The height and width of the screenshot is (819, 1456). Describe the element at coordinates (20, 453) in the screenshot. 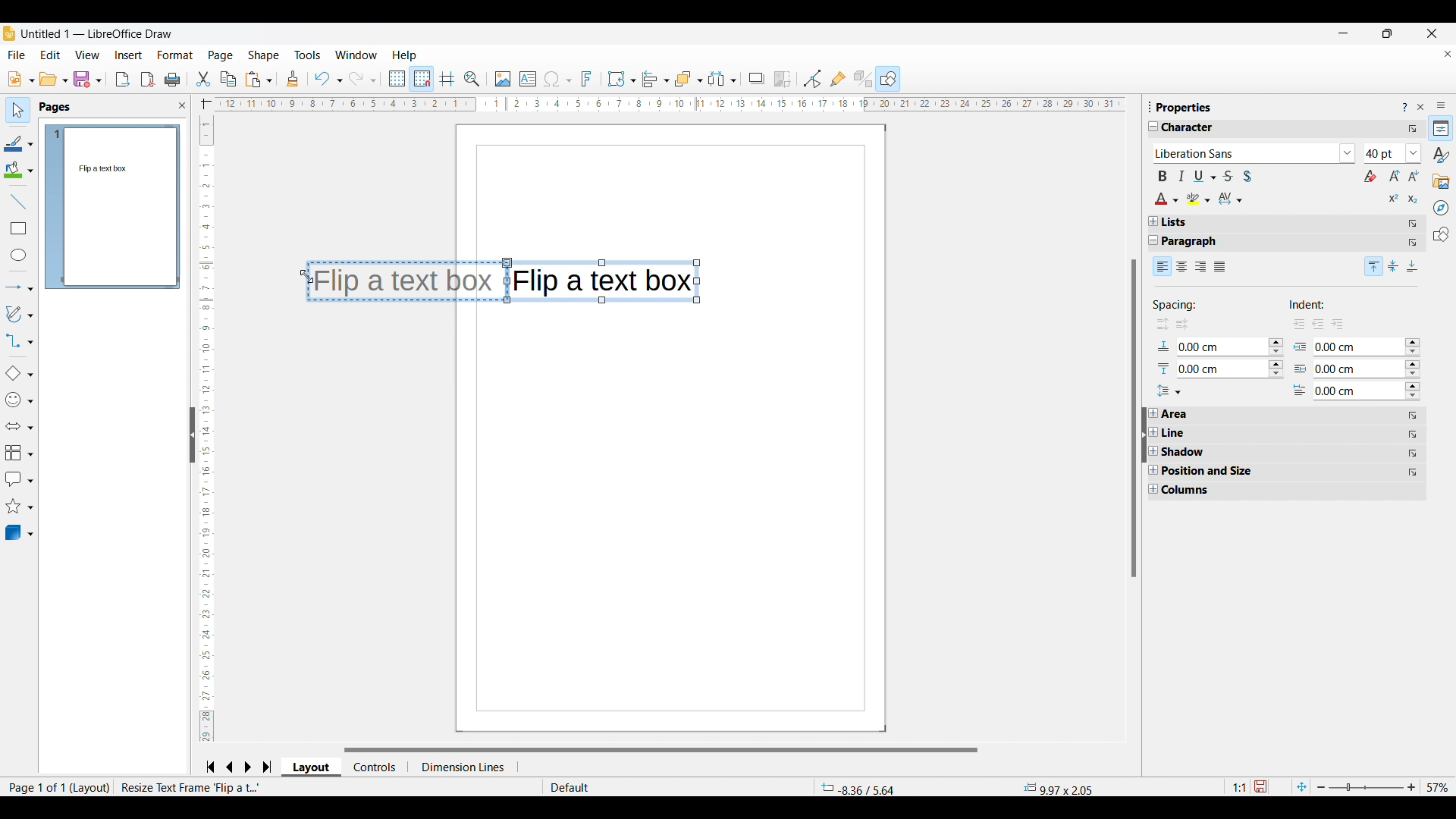

I see `Flowchart options` at that location.